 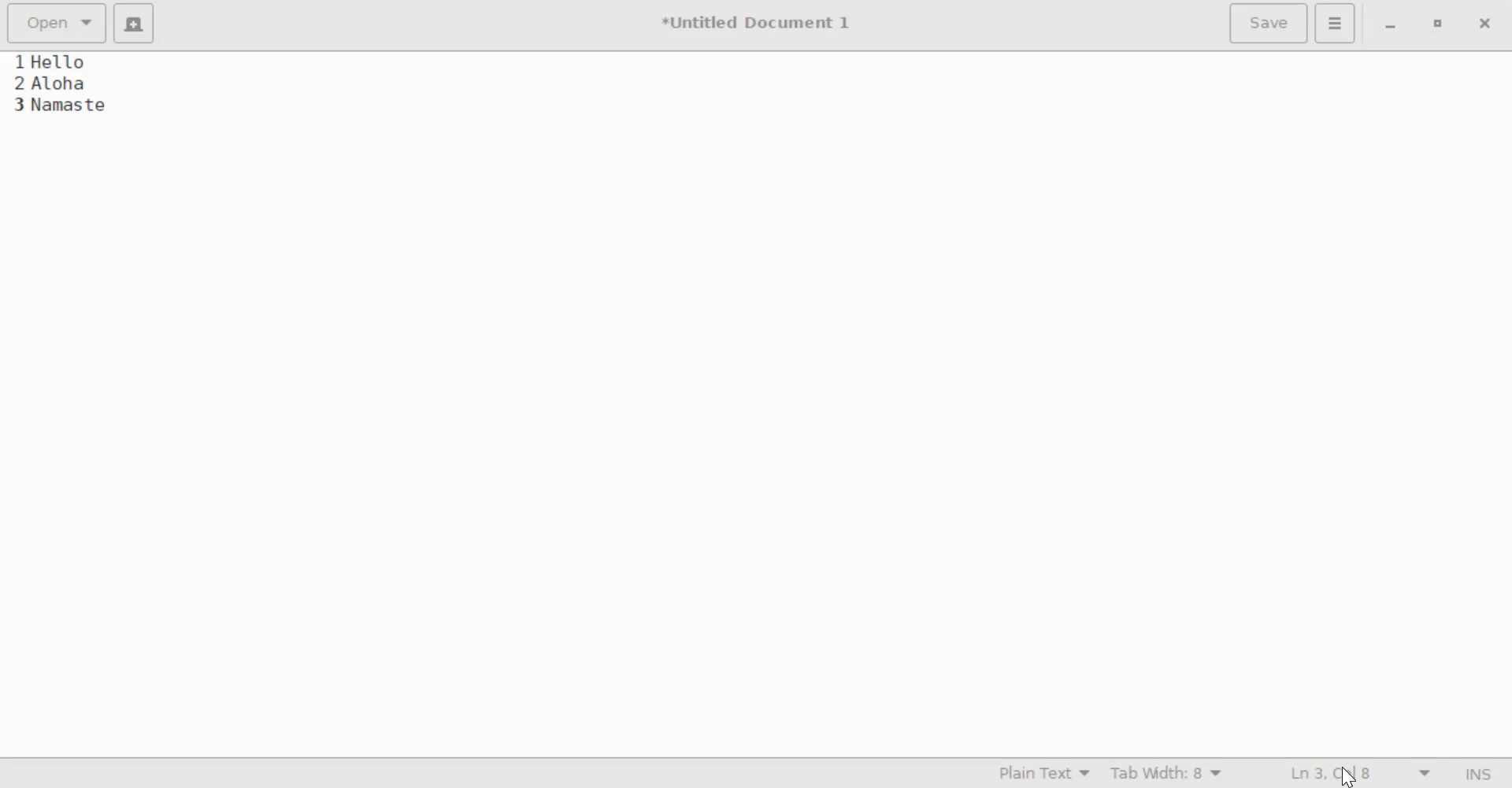 I want to click on Insert/Overwrite Mode (INS), so click(x=1482, y=773).